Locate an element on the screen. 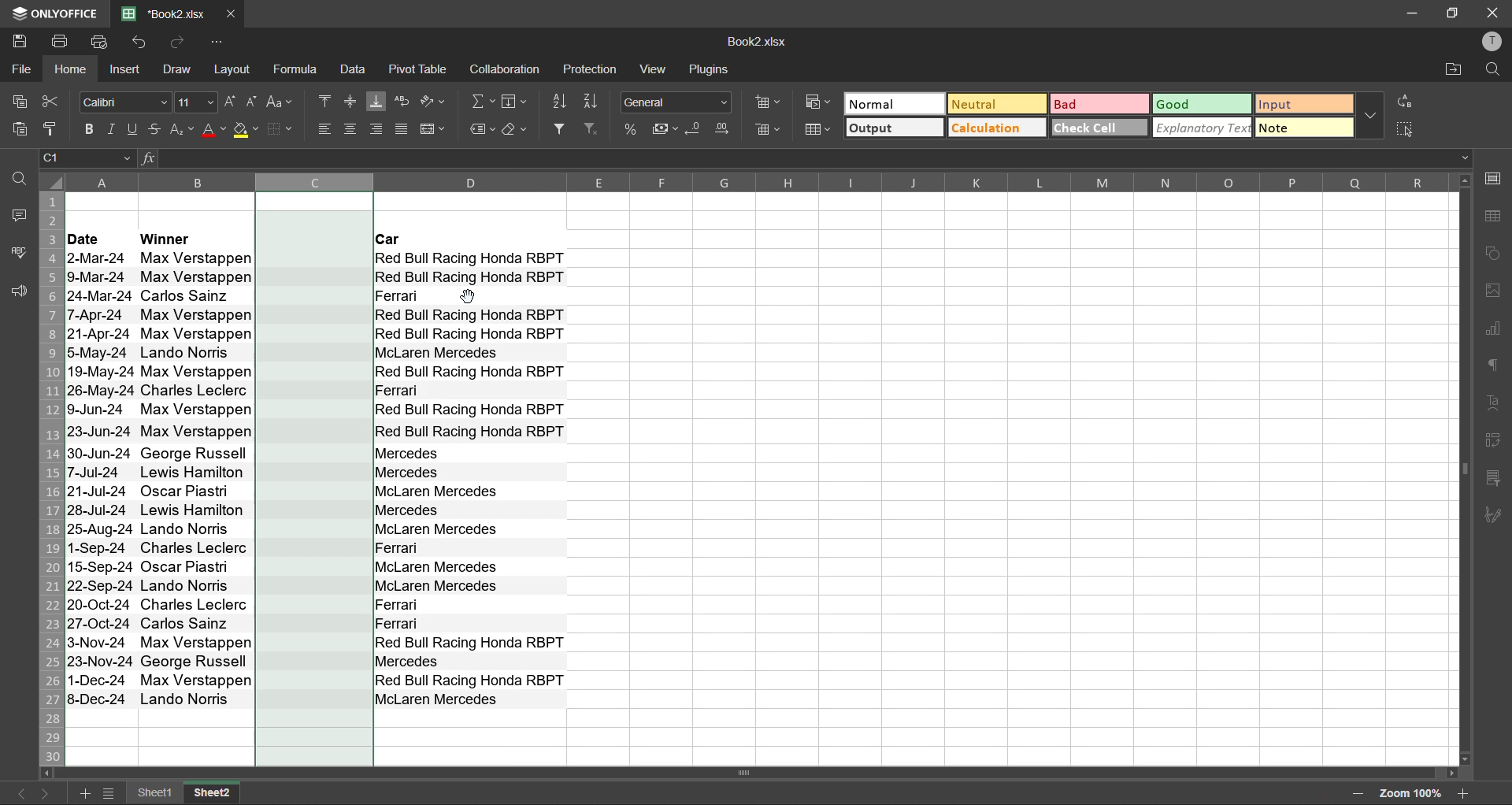 The width and height of the screenshot is (1512, 805). note is located at coordinates (1302, 130).